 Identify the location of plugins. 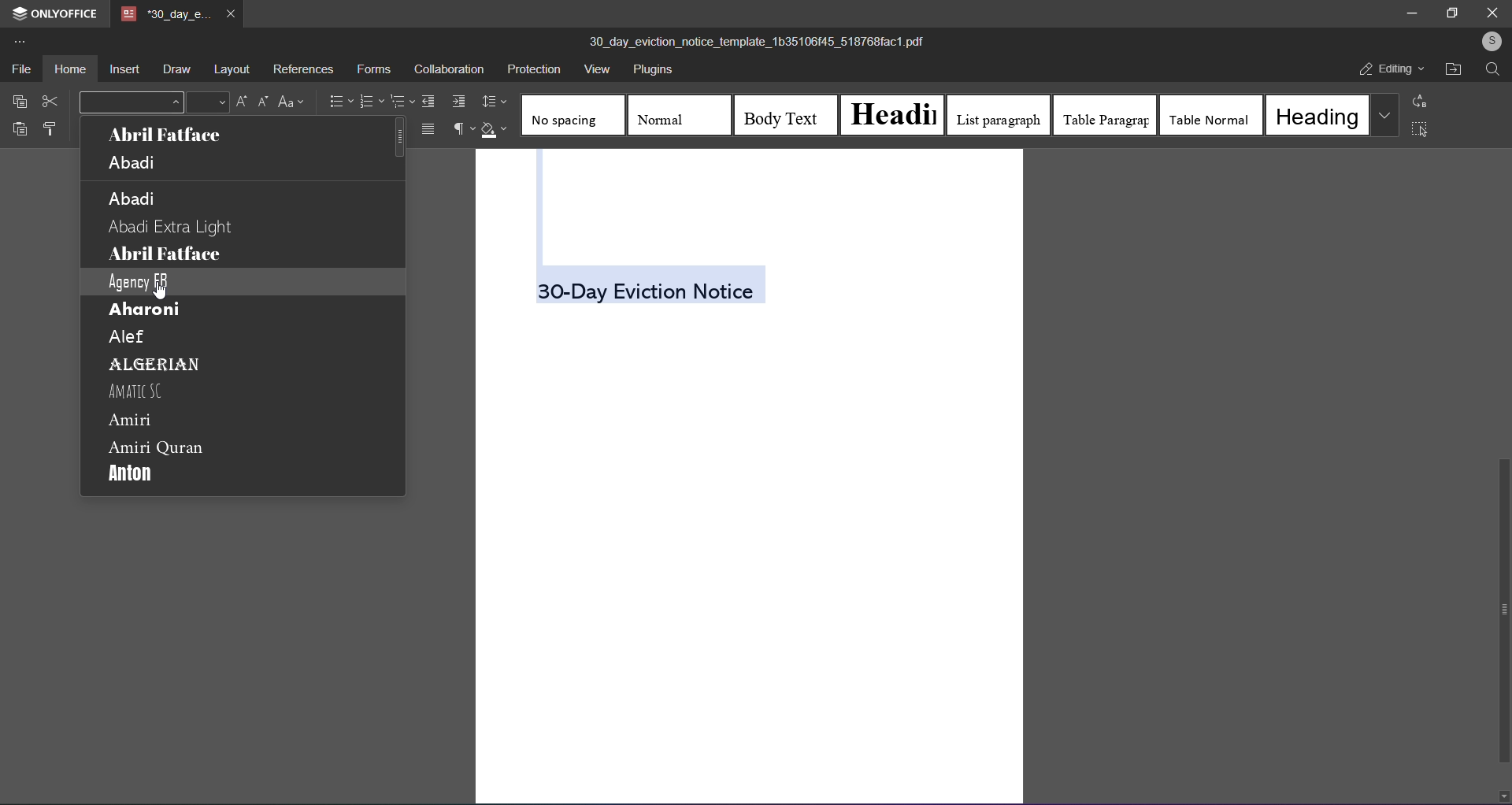
(650, 72).